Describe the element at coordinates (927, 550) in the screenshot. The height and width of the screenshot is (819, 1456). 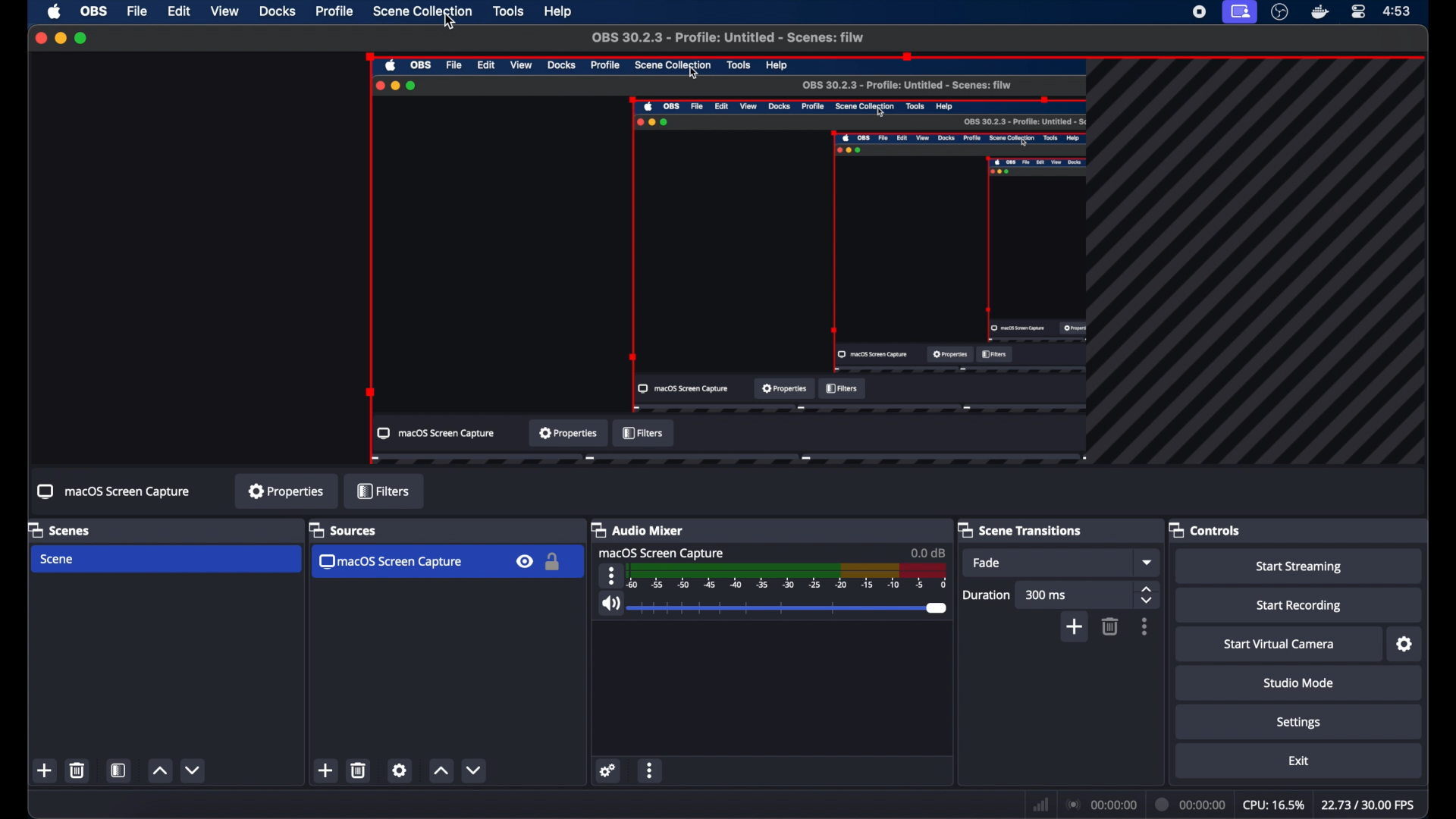
I see `0.00 db` at that location.